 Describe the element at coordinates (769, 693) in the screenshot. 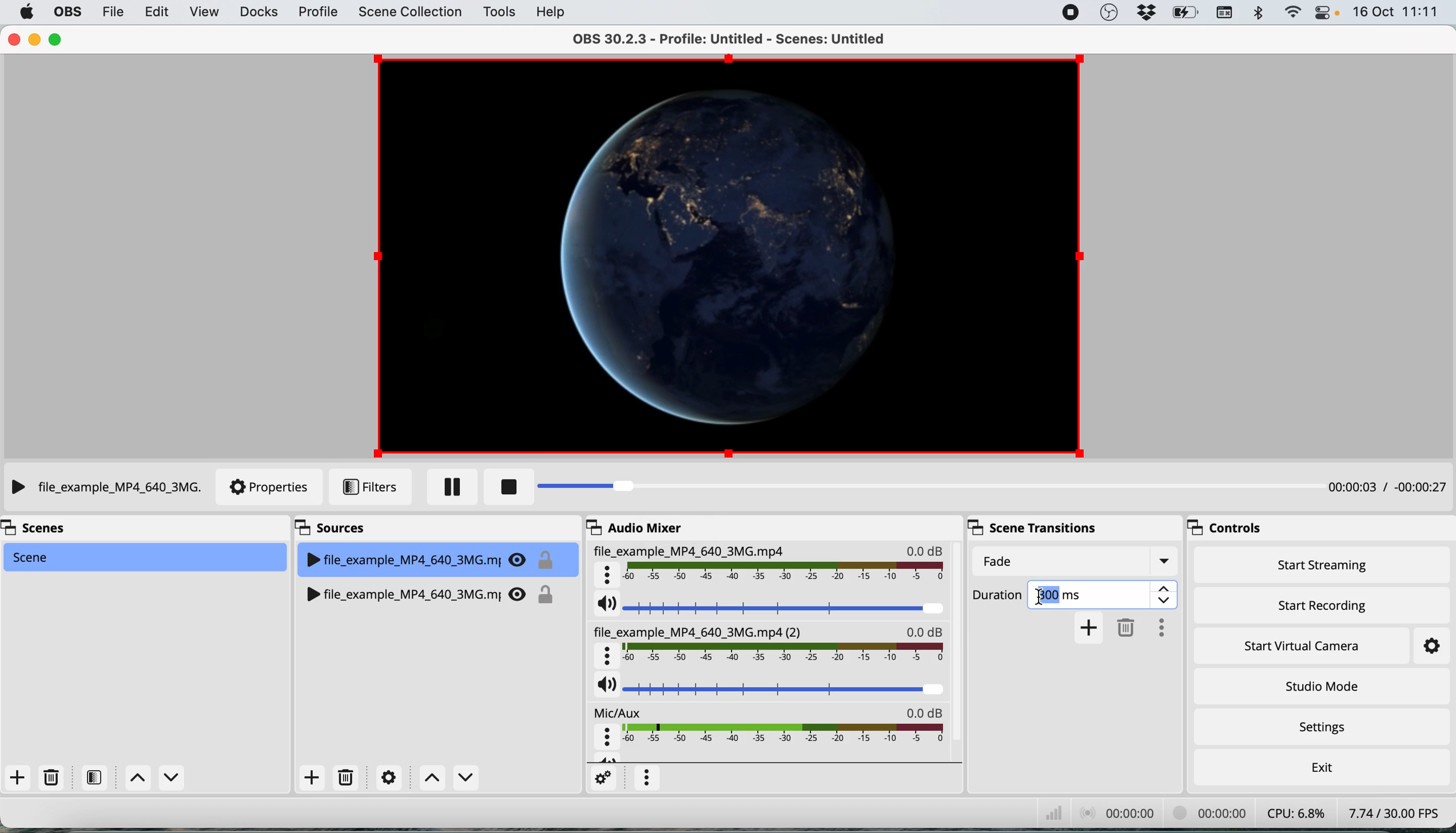

I see `source audio volume` at that location.